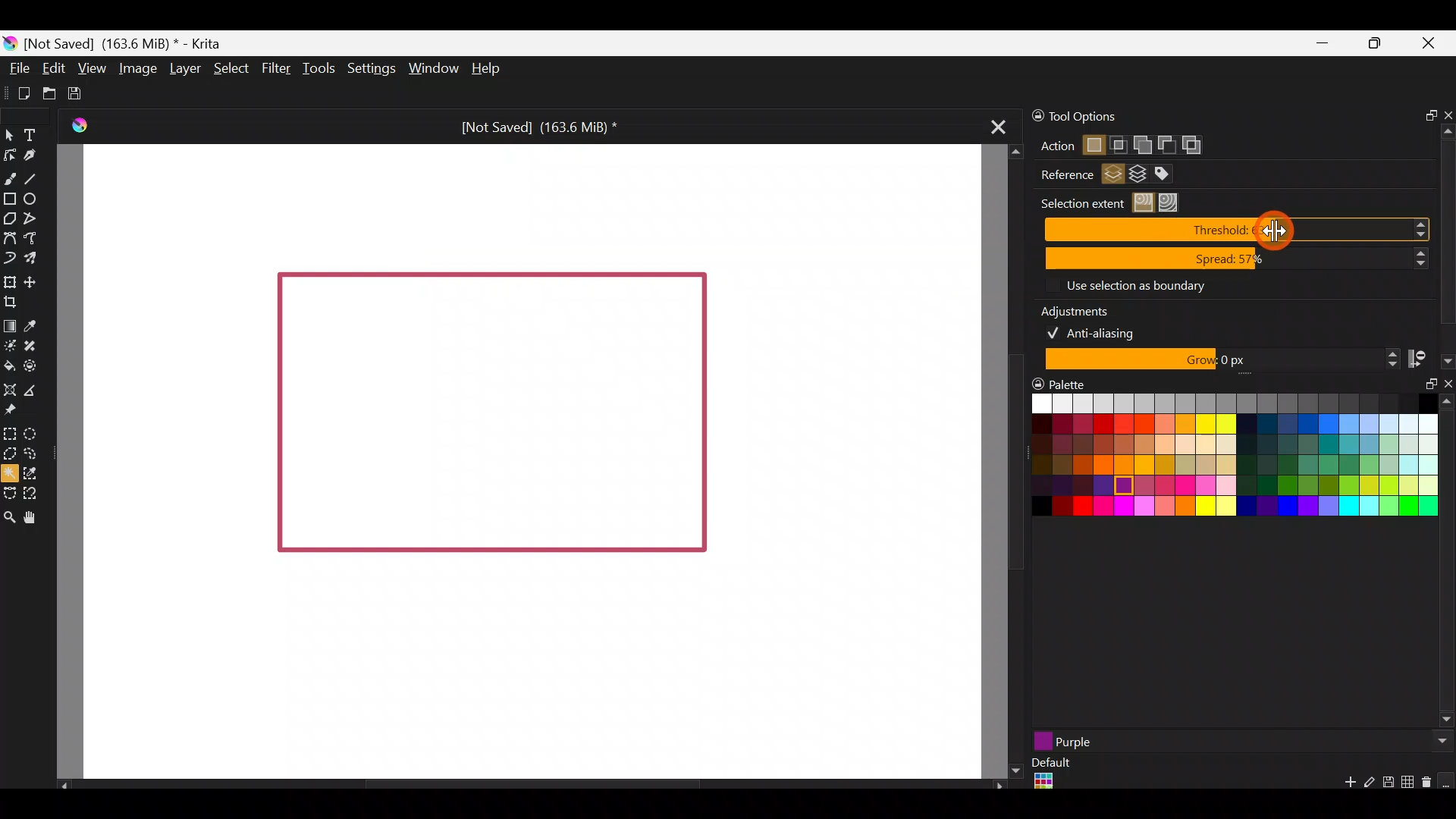  What do you see at coordinates (39, 391) in the screenshot?
I see `Measure the distance between two points` at bounding box center [39, 391].